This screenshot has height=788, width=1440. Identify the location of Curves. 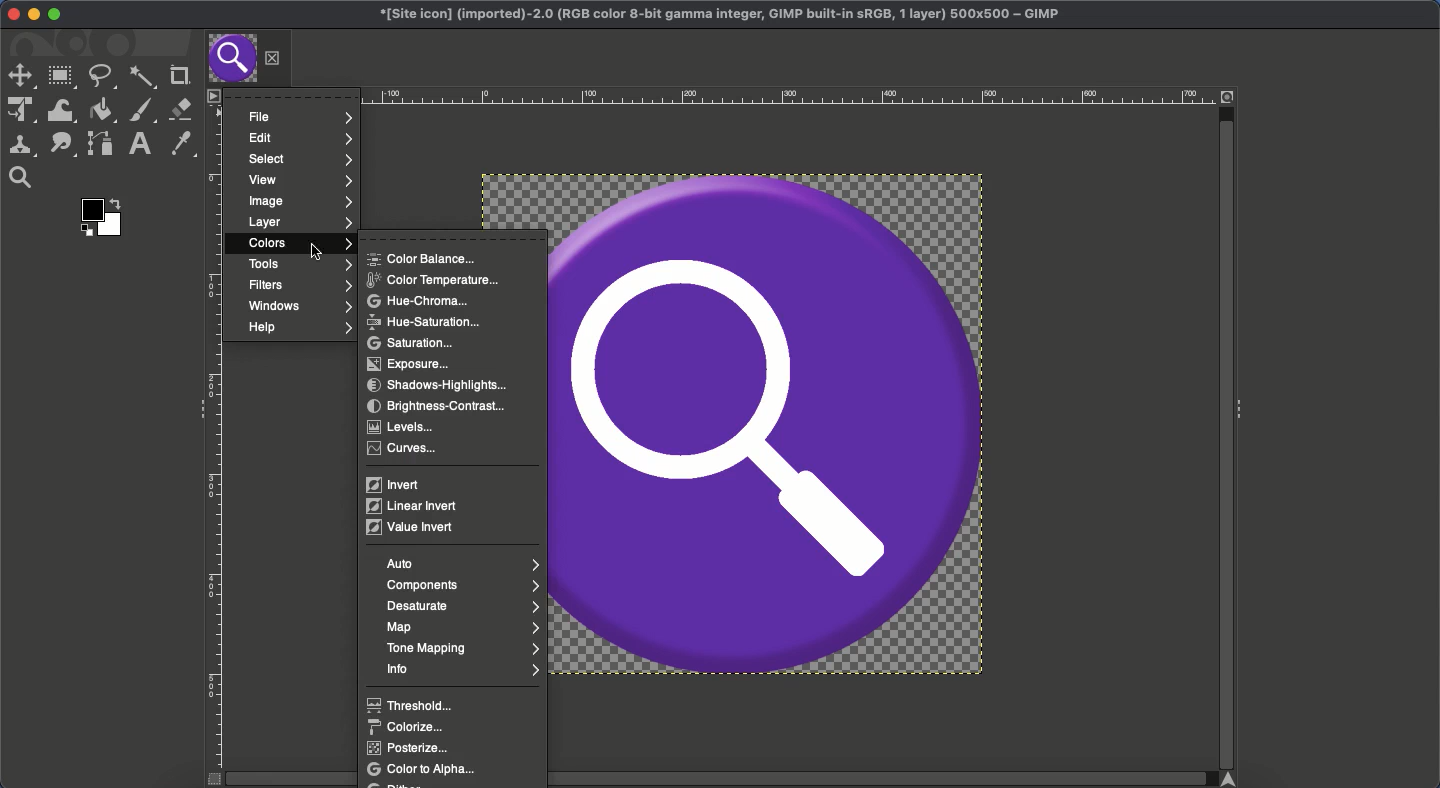
(406, 449).